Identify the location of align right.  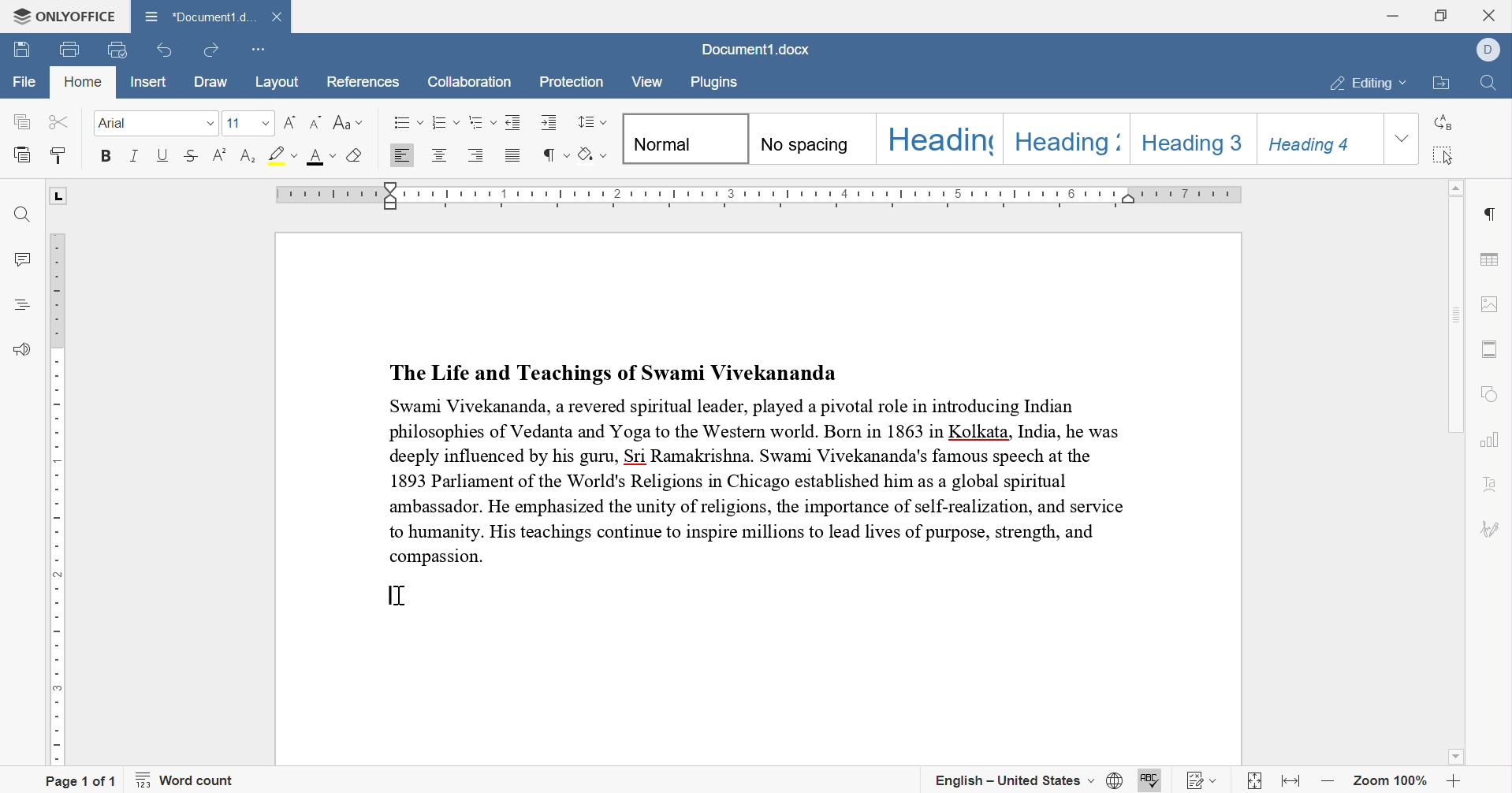
(476, 154).